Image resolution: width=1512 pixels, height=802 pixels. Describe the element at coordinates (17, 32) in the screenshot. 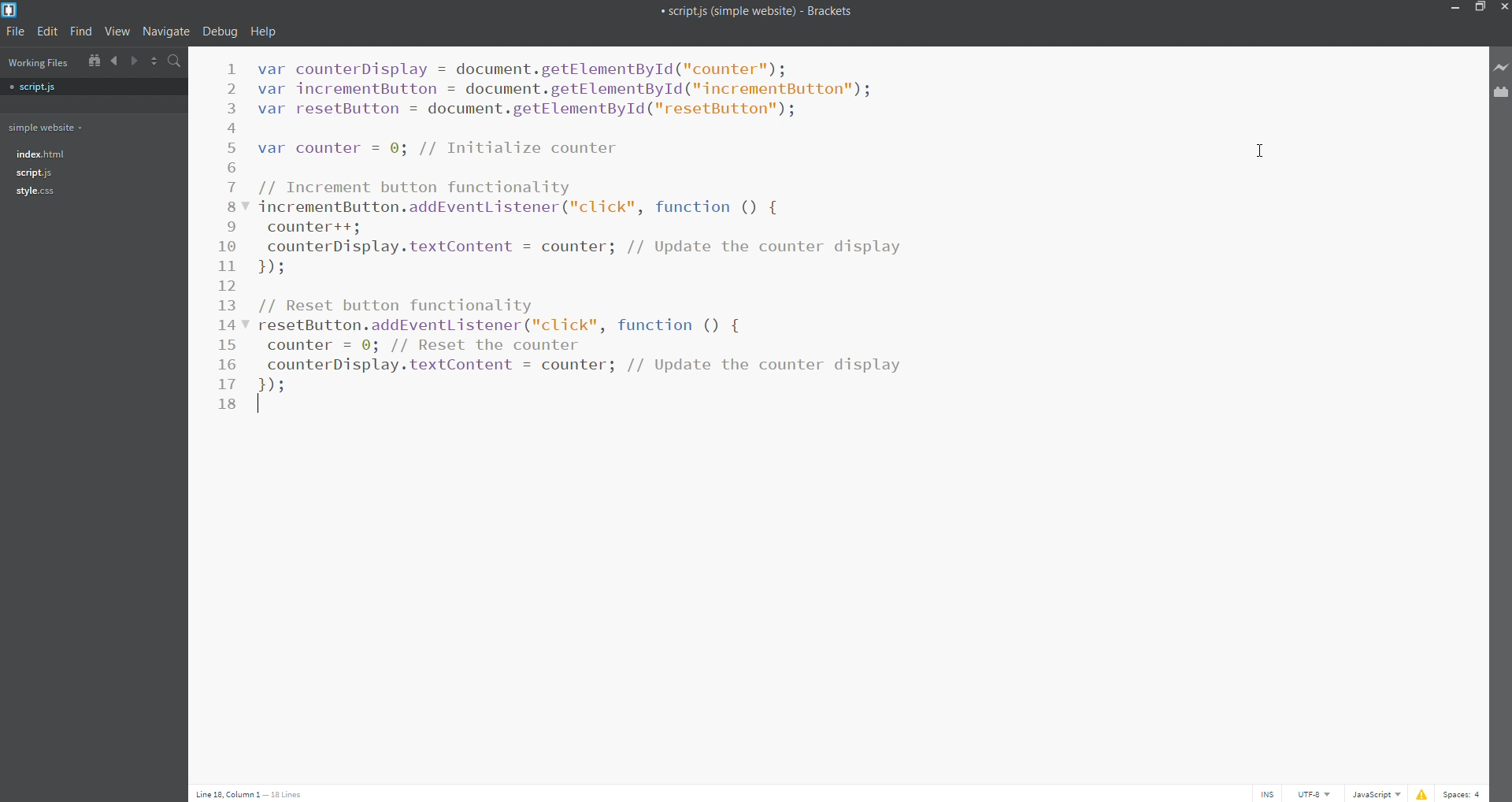

I see `file` at that location.